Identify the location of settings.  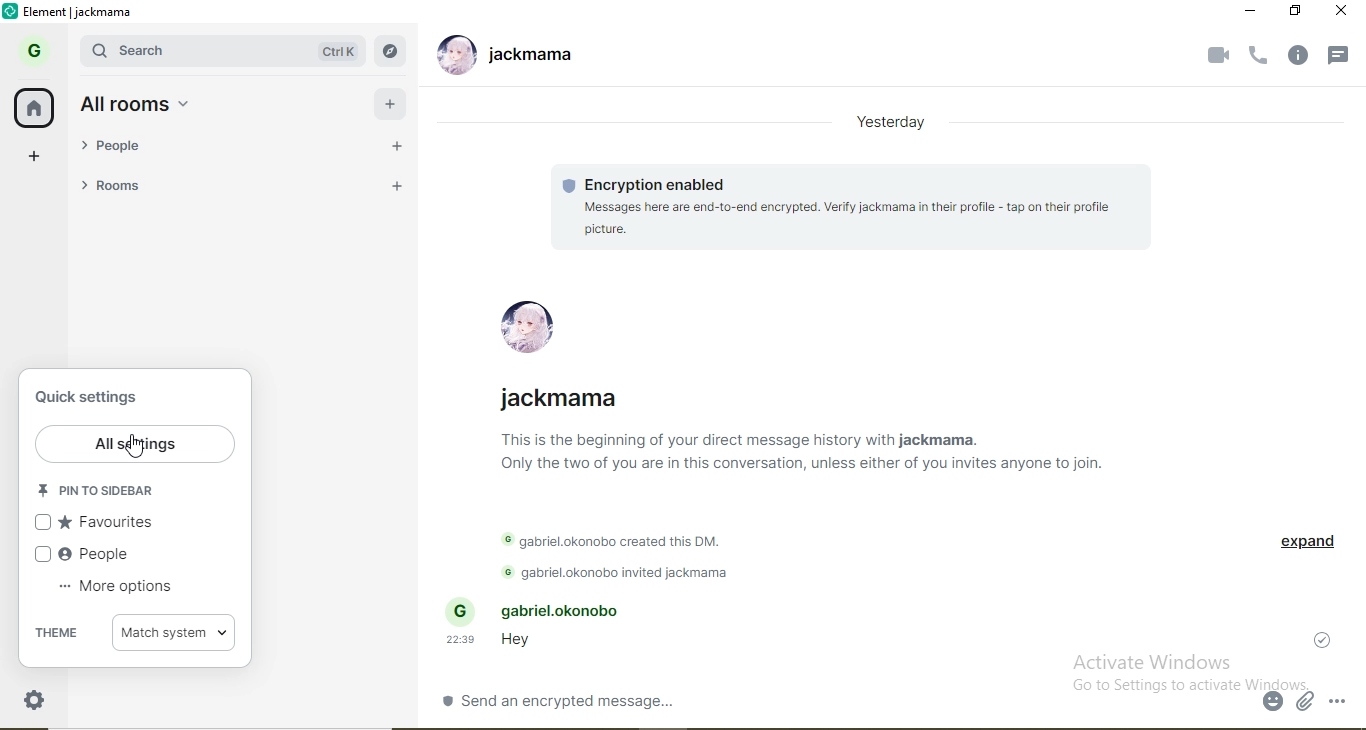
(34, 700).